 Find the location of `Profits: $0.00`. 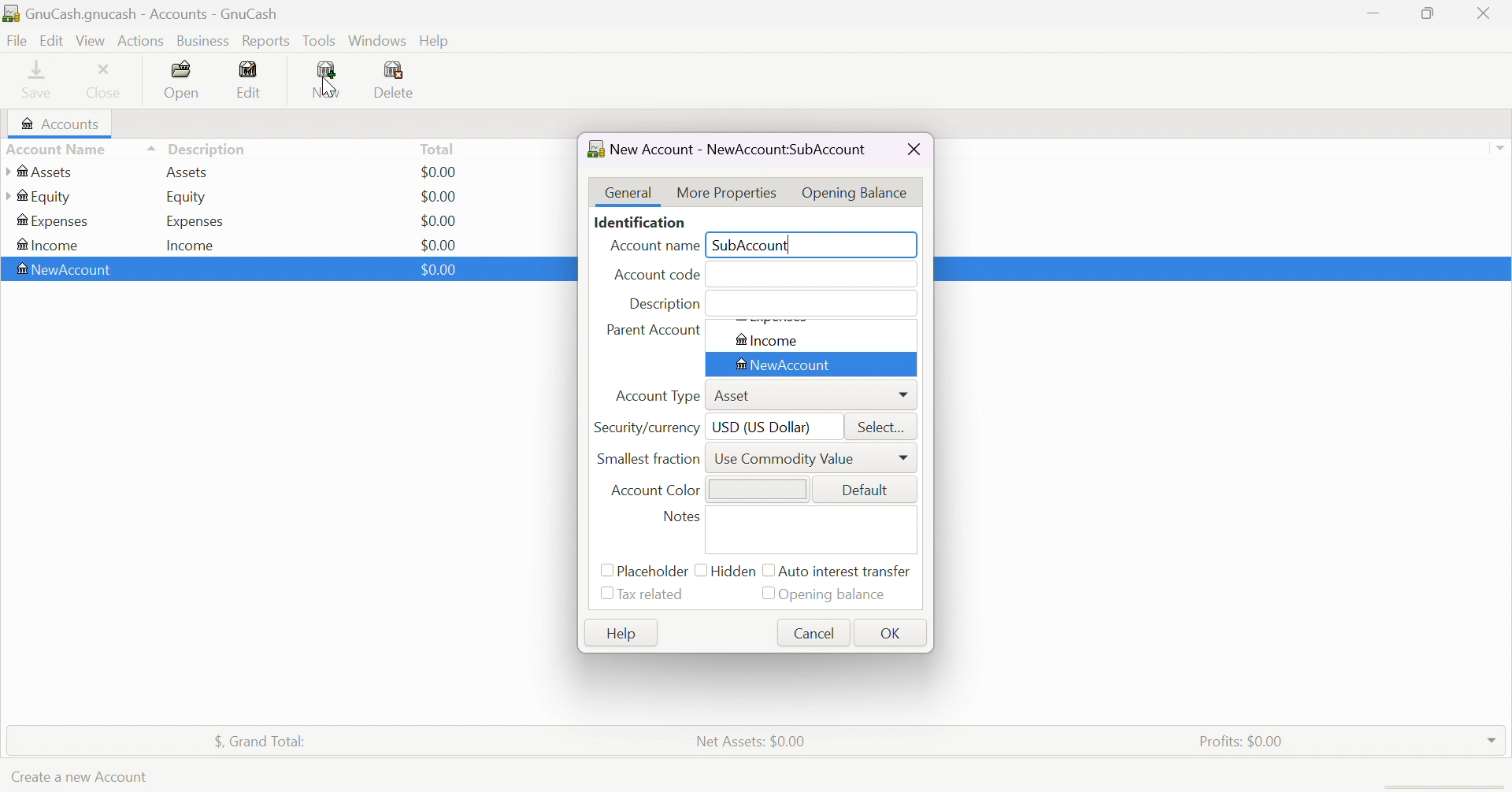

Profits: $0.00 is located at coordinates (1246, 741).